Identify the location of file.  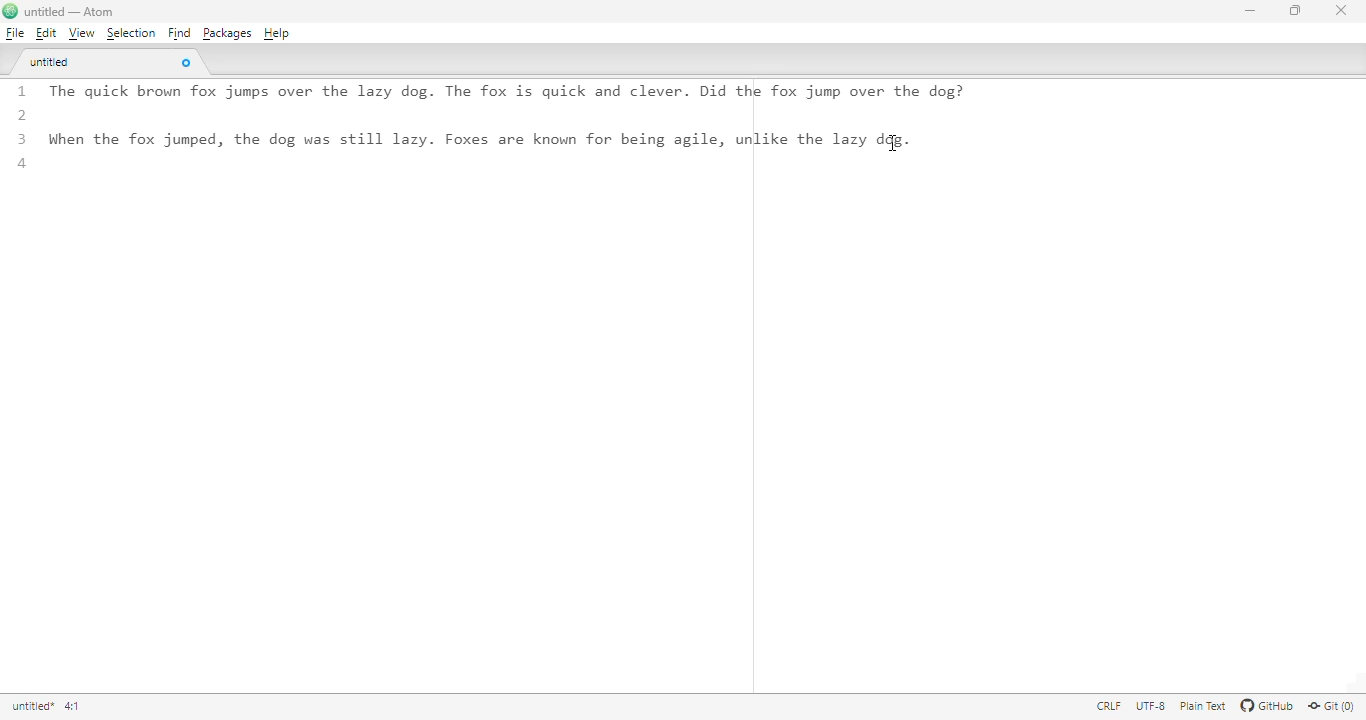
(14, 32).